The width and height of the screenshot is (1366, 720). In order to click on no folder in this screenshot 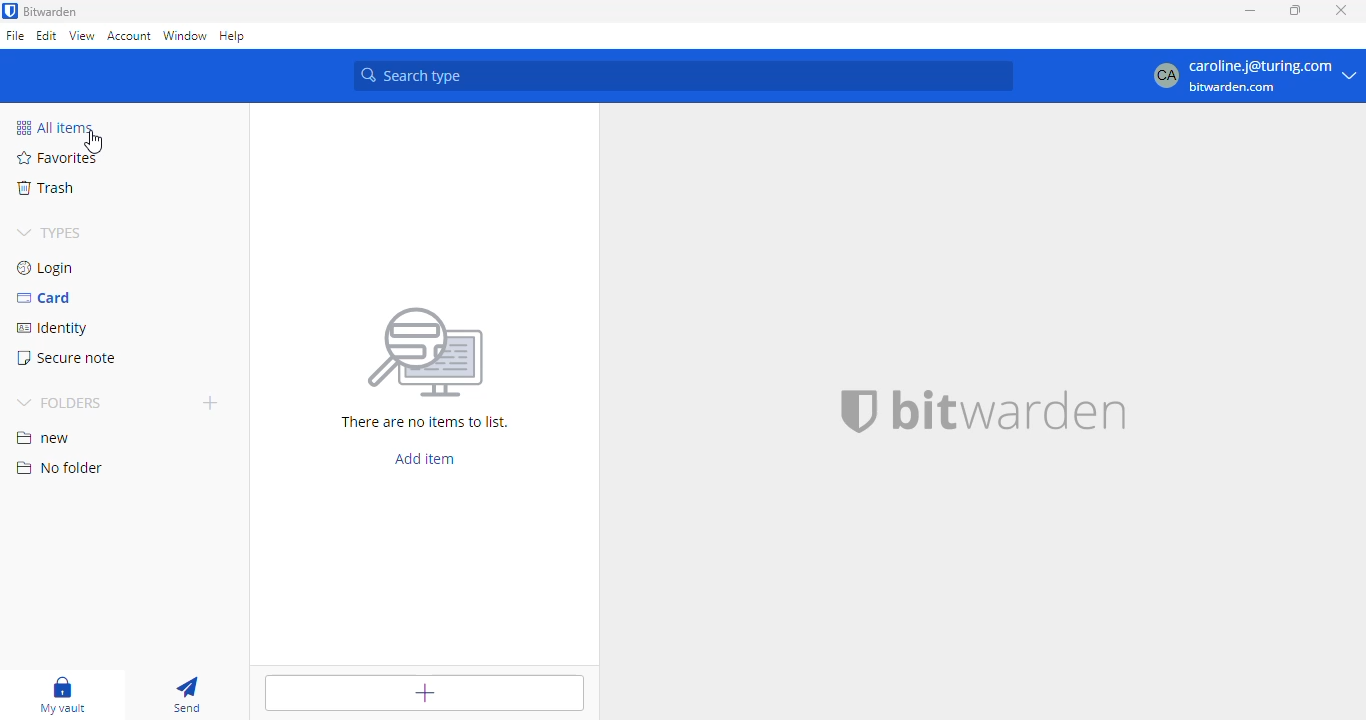, I will do `click(60, 467)`.